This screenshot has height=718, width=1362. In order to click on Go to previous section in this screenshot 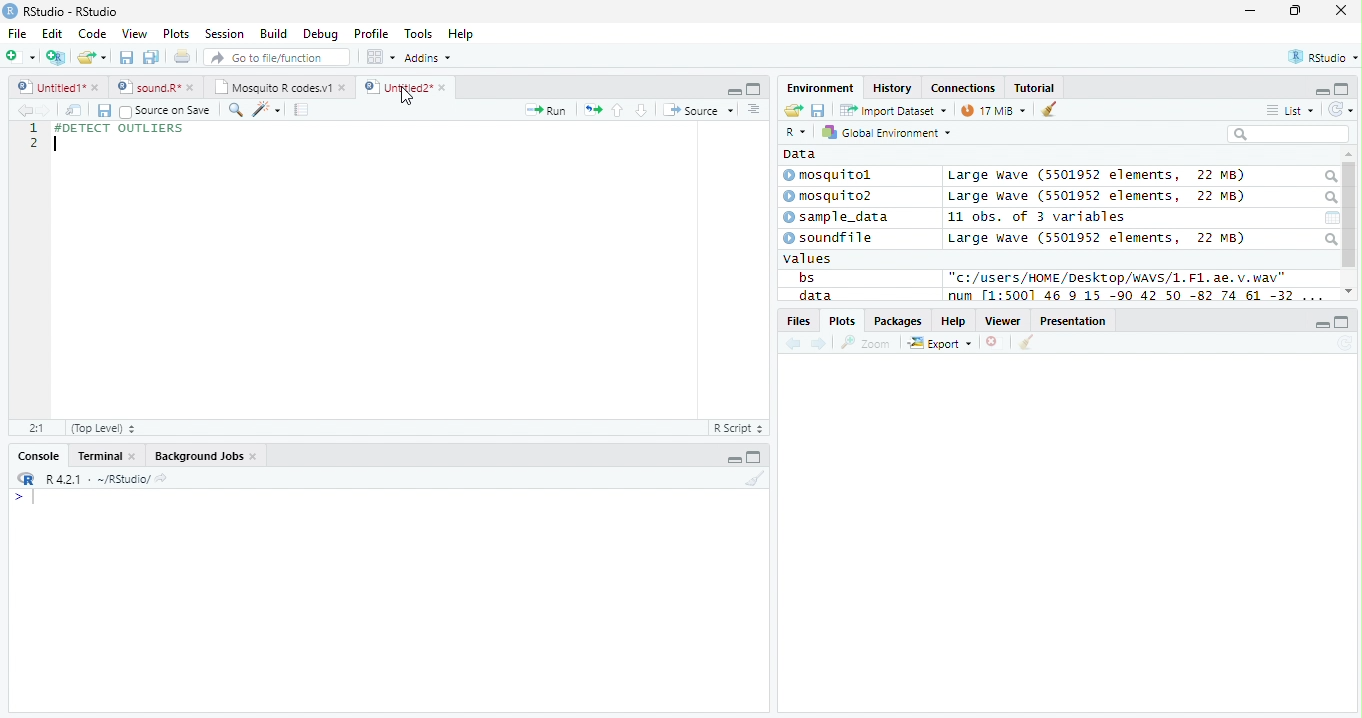, I will do `click(616, 110)`.